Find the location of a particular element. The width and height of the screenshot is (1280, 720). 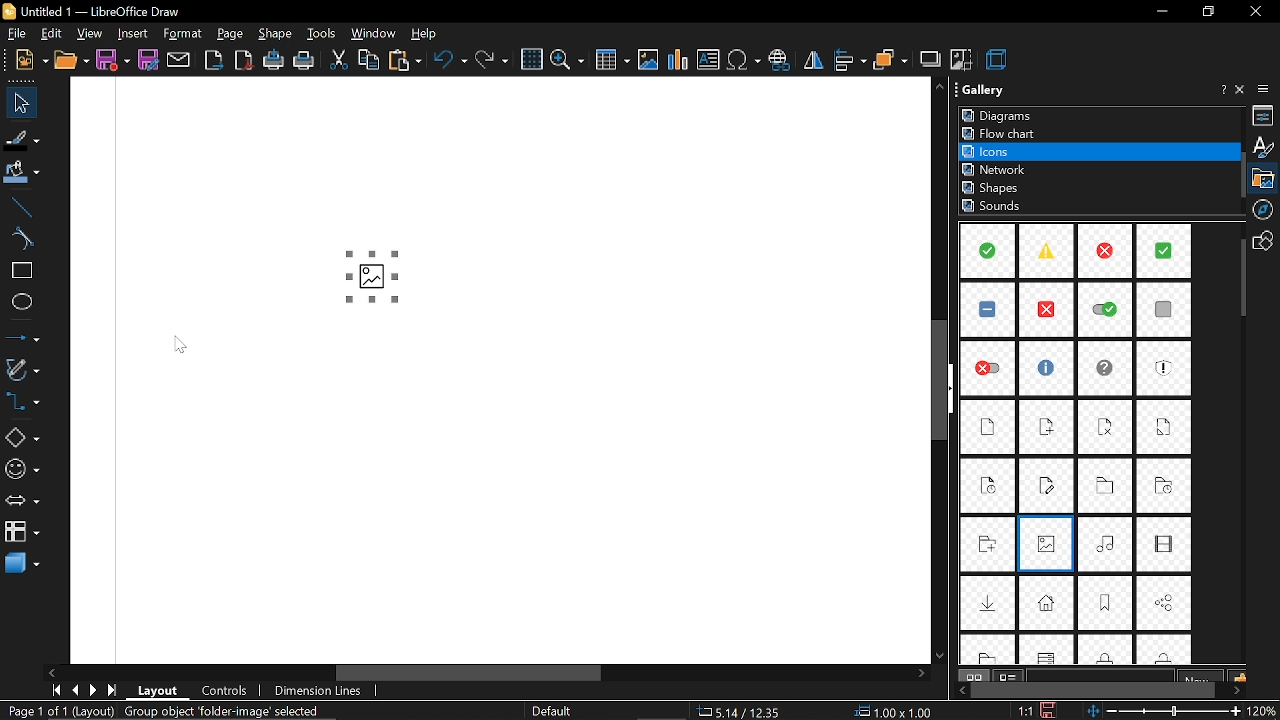

Scroll down is located at coordinates (938, 653).